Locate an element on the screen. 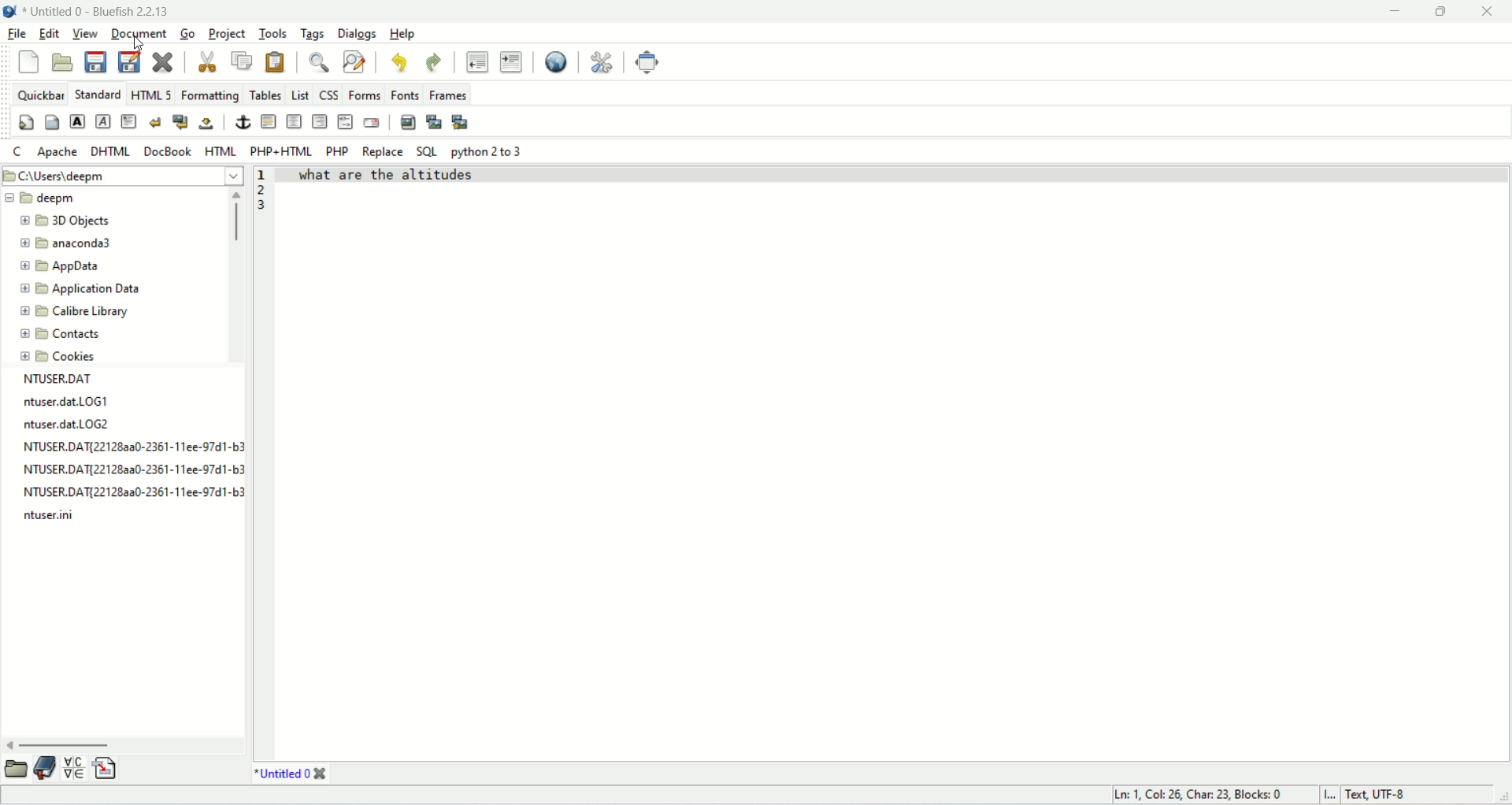 Image resolution: width=1512 pixels, height=805 pixels. calibre is located at coordinates (74, 313).